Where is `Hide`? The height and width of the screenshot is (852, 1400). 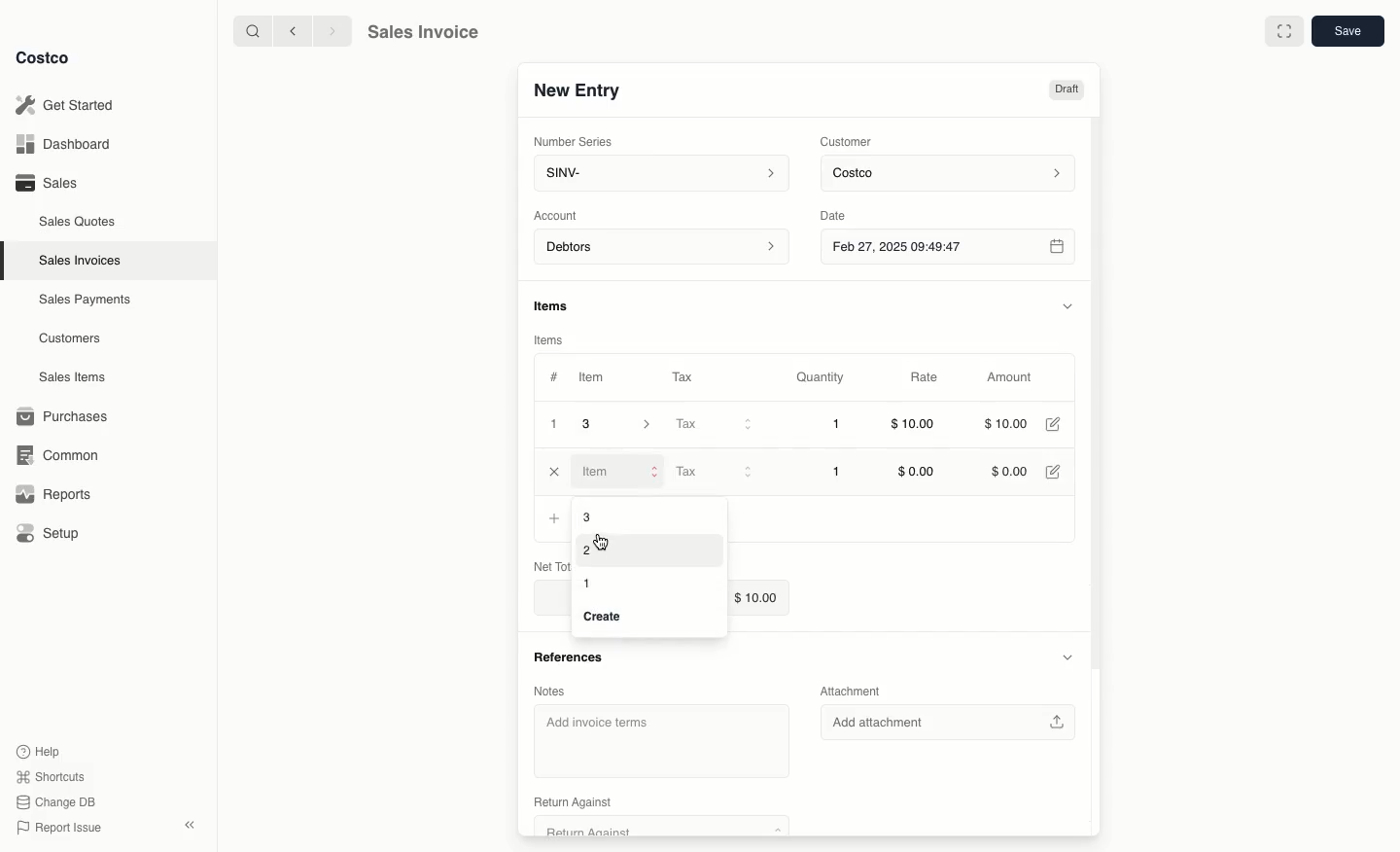
Hide is located at coordinates (1066, 655).